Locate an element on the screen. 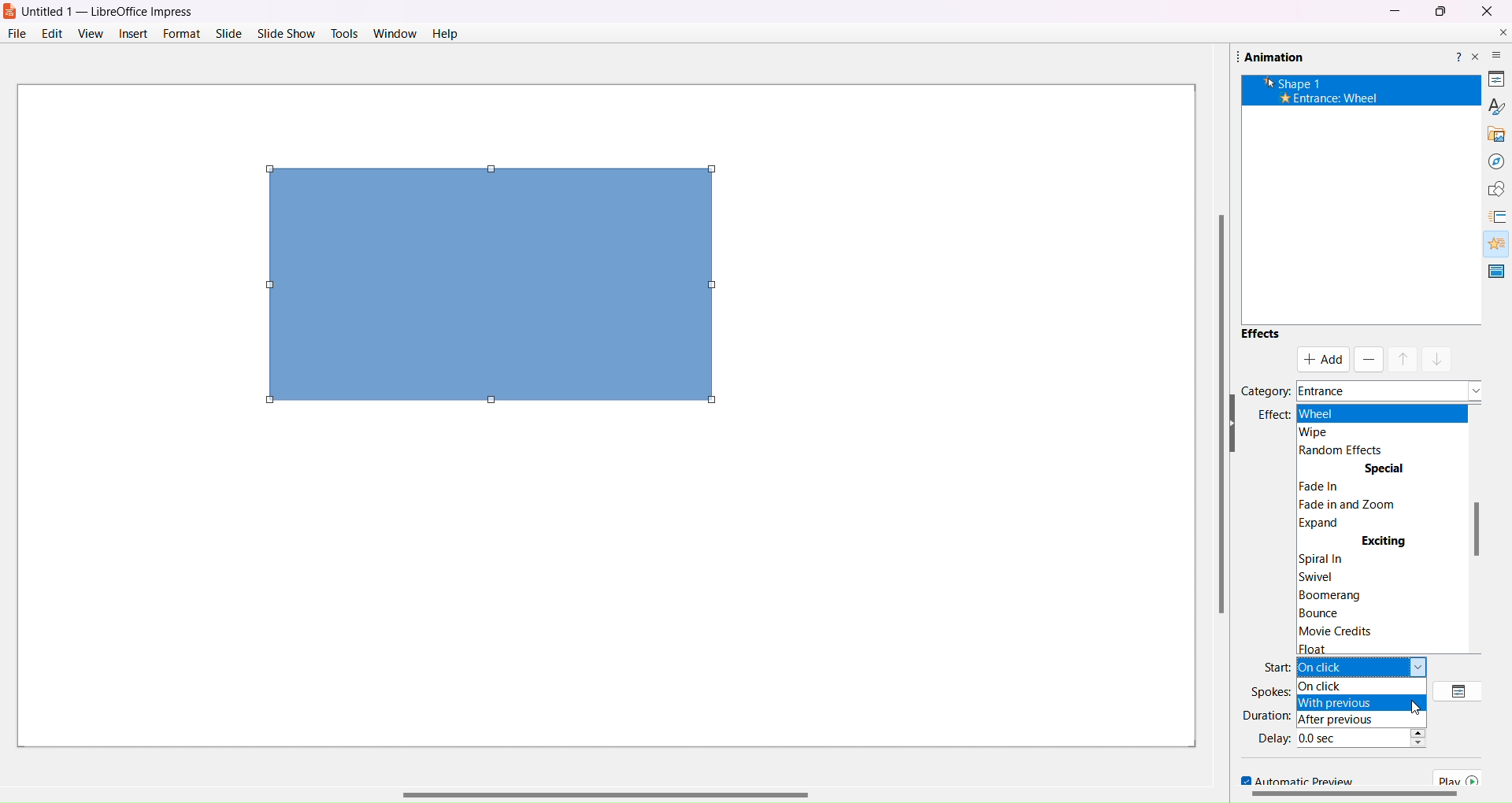 The height and width of the screenshot is (803, 1512). 7x Shape 1
* Entrance: Wheel is located at coordinates (1326, 92).